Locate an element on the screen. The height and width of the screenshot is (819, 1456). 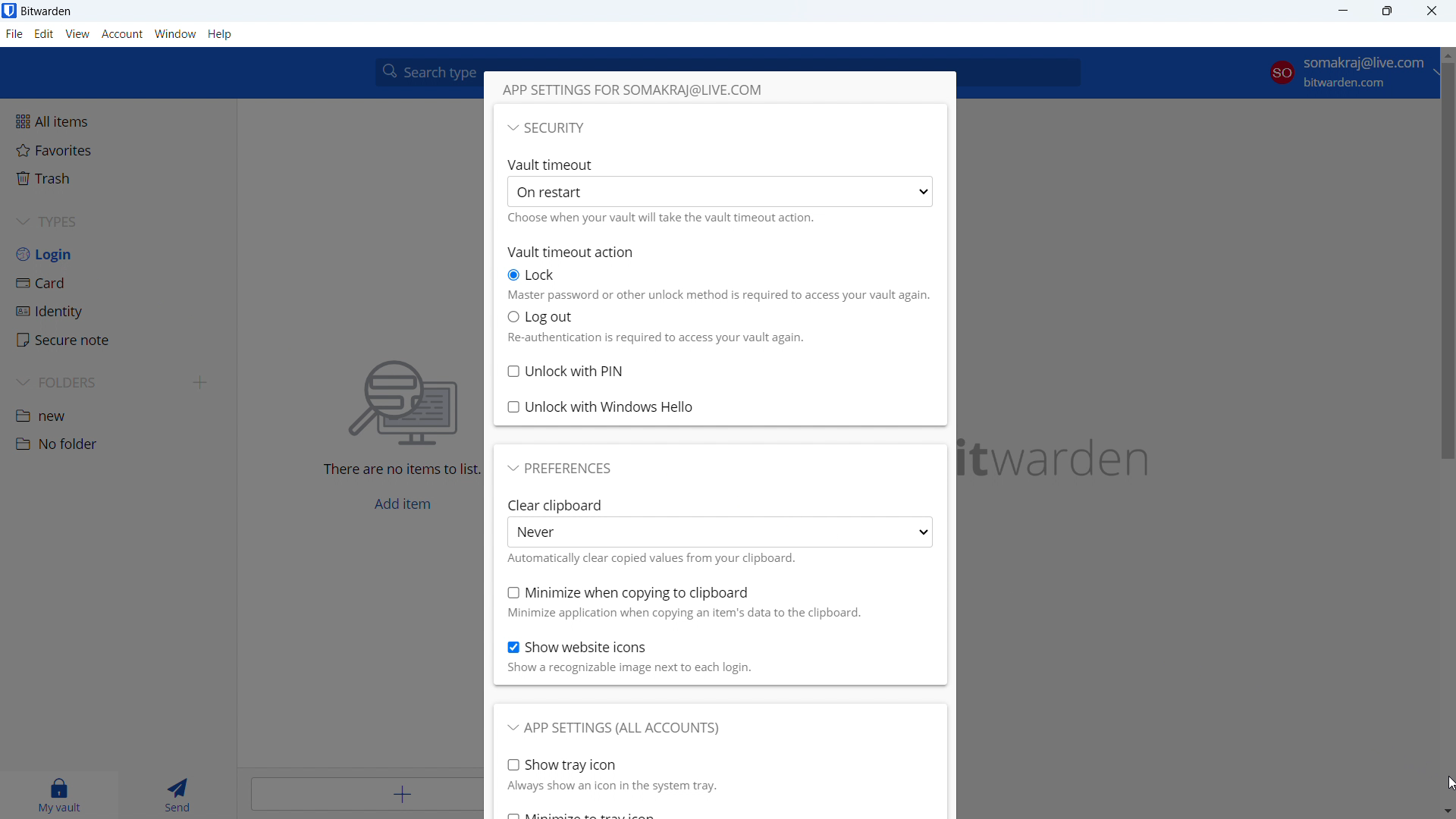
unlock with windows hello is located at coordinates (601, 406).